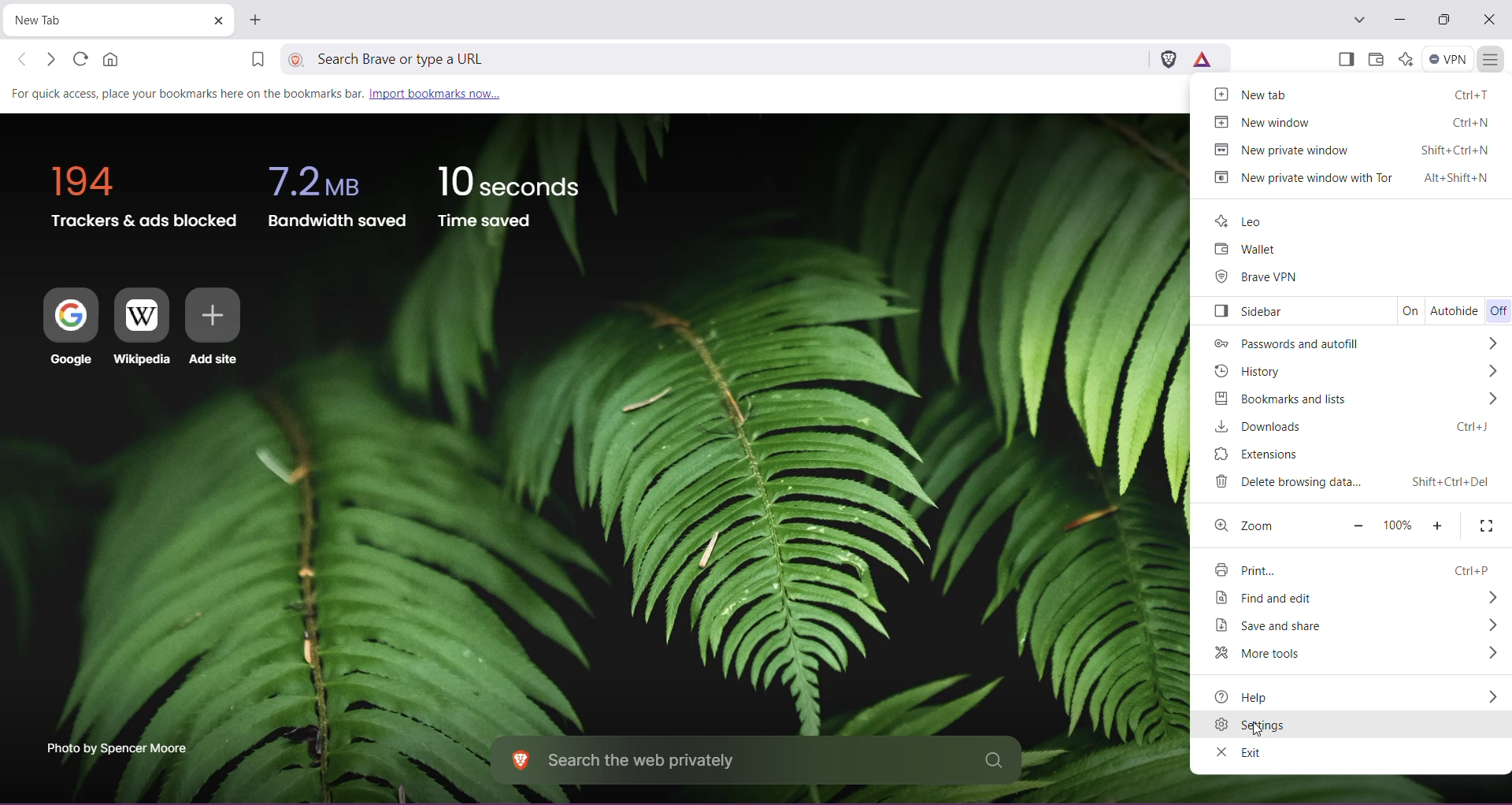 This screenshot has height=805, width=1512. I want to click on Passwords and autofill, so click(1283, 344).